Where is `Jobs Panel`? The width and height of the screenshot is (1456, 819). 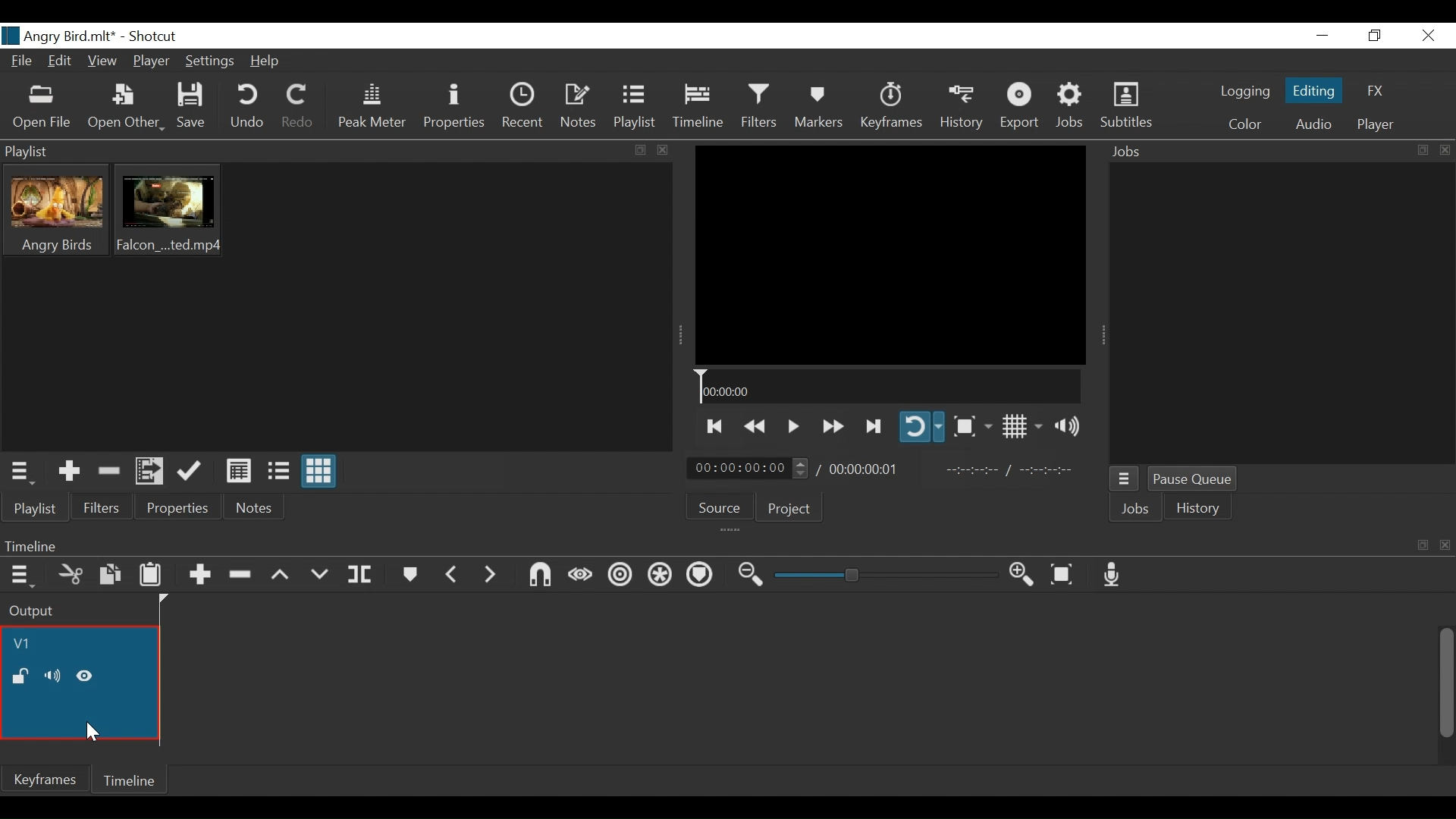 Jobs Panel is located at coordinates (1255, 152).